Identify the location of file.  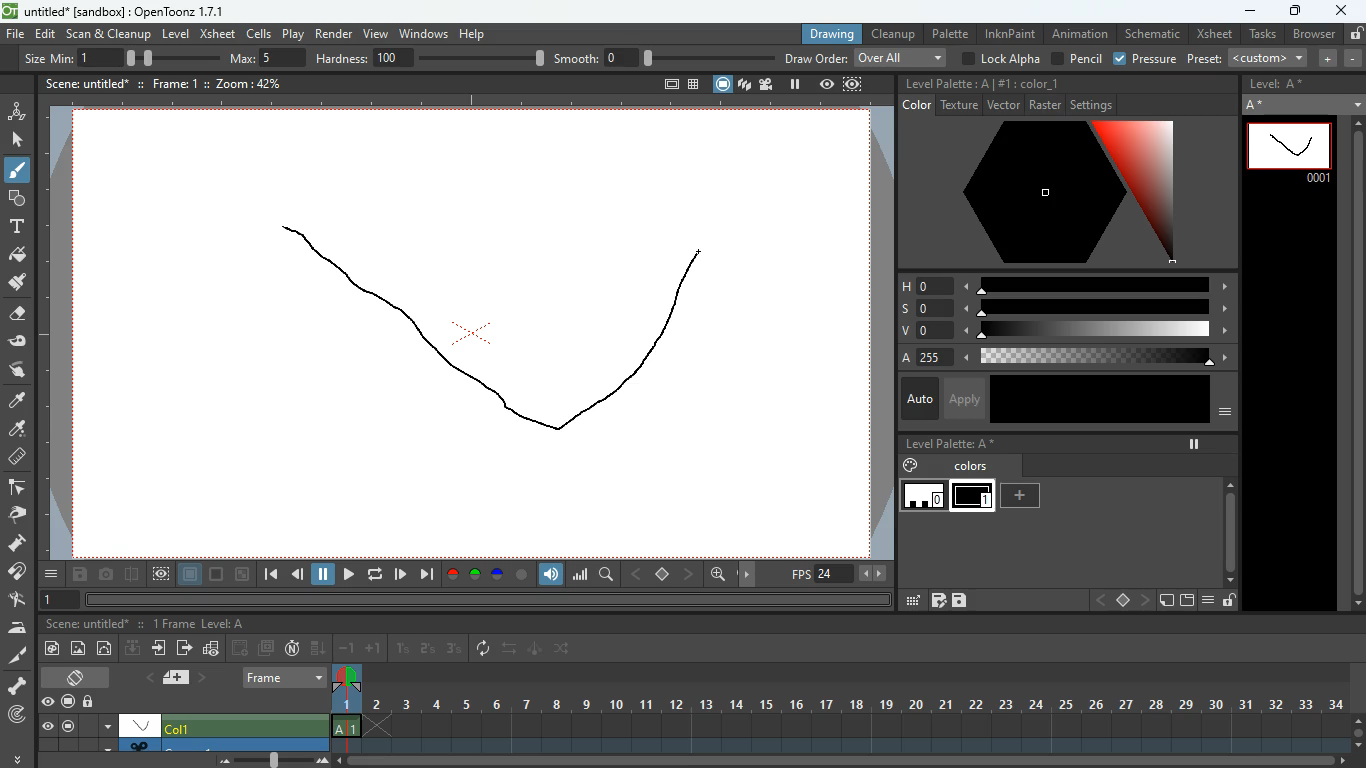
(15, 35).